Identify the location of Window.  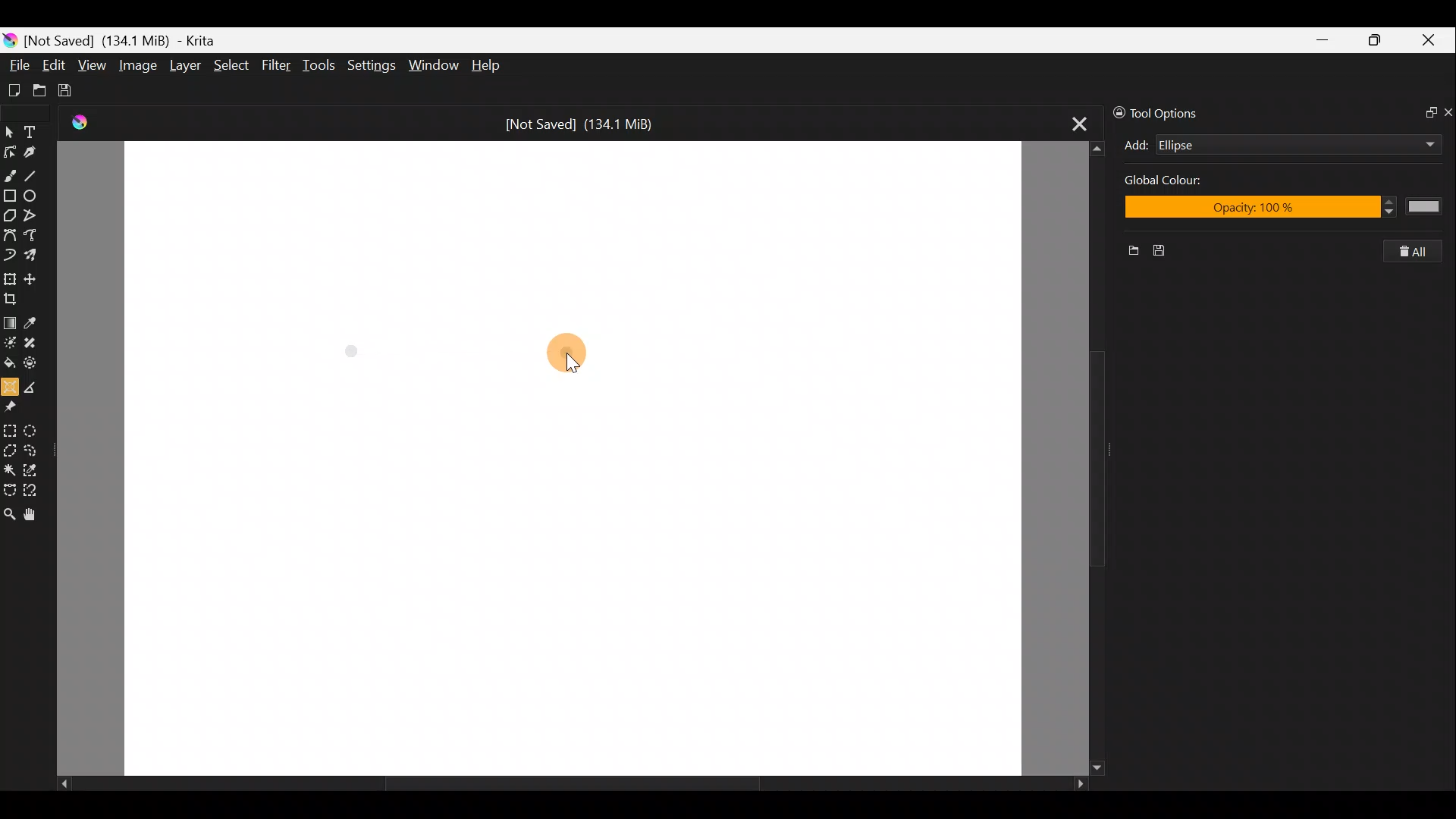
(436, 64).